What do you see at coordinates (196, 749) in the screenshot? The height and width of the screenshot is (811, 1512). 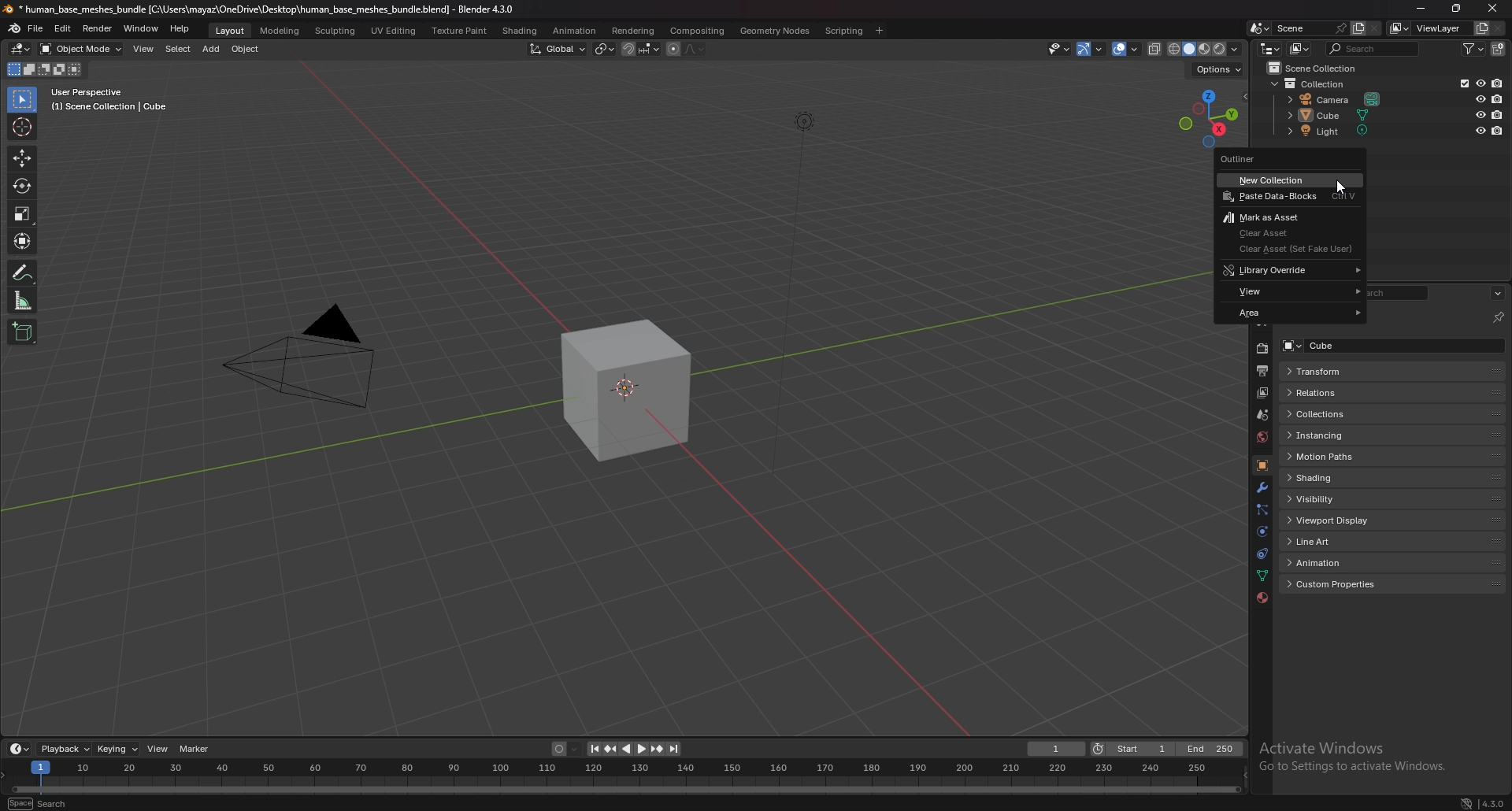 I see `marker` at bounding box center [196, 749].